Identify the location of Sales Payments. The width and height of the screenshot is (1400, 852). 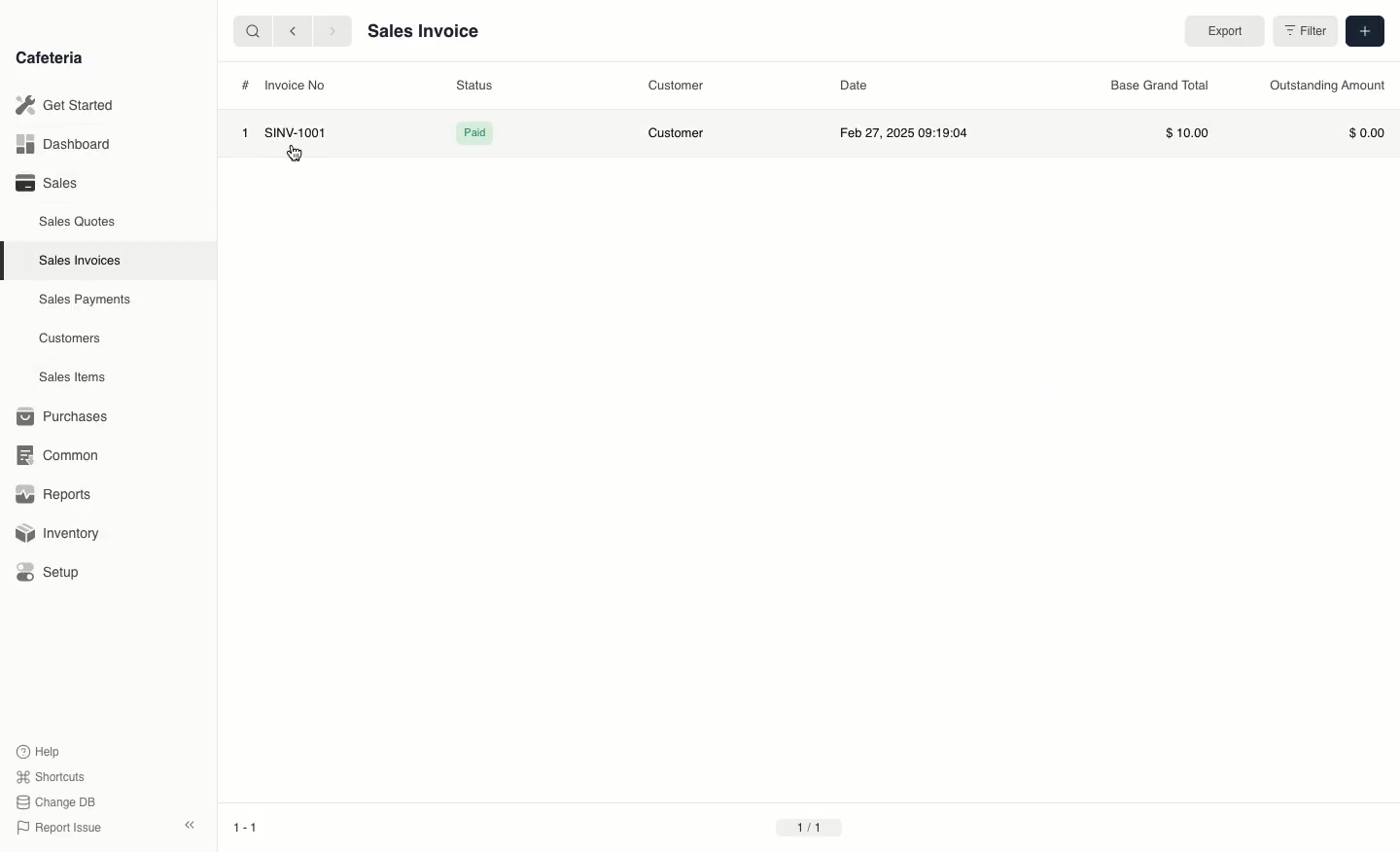
(86, 301).